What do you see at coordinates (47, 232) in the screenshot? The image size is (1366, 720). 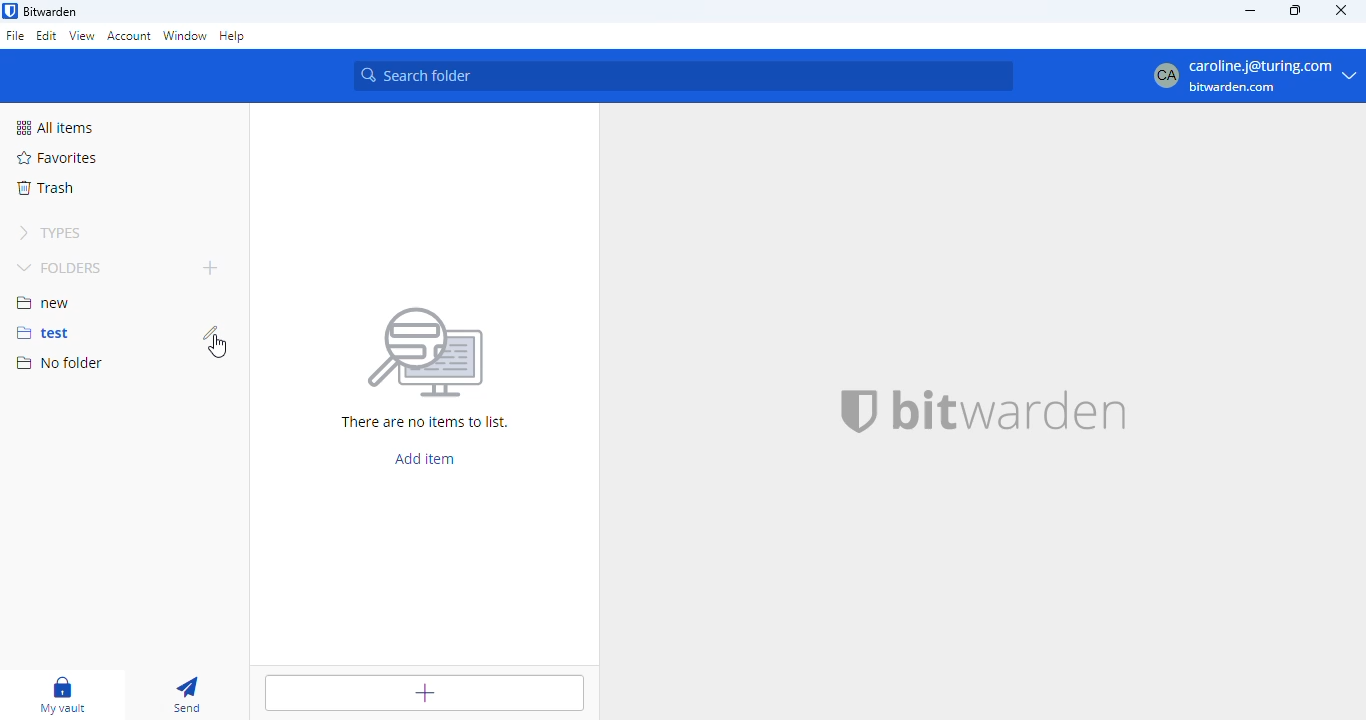 I see `types` at bounding box center [47, 232].